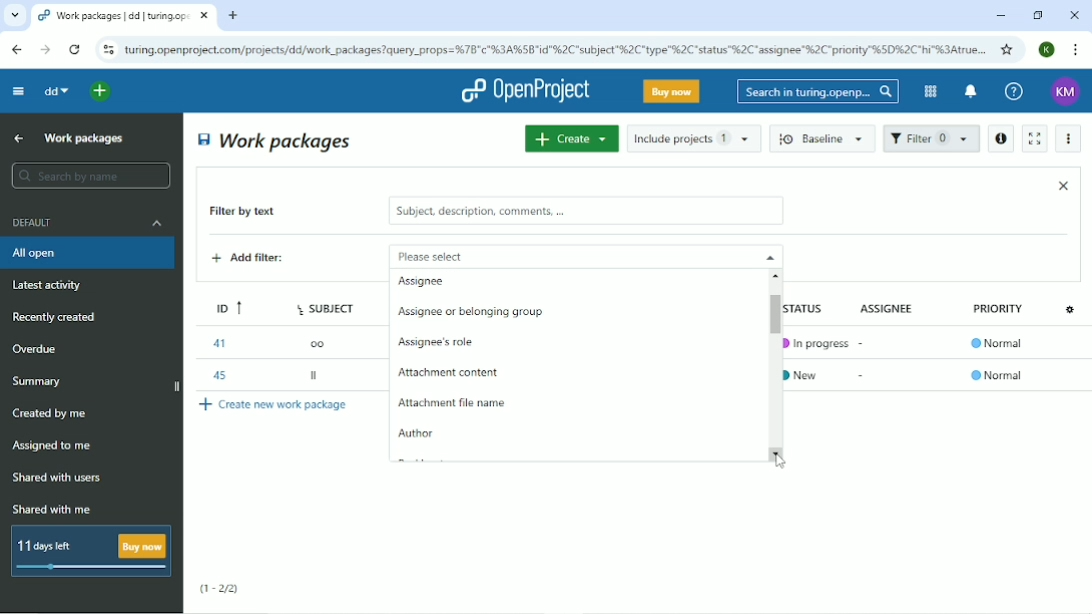 This screenshot has width=1092, height=614. What do you see at coordinates (672, 91) in the screenshot?
I see `Buy now` at bounding box center [672, 91].